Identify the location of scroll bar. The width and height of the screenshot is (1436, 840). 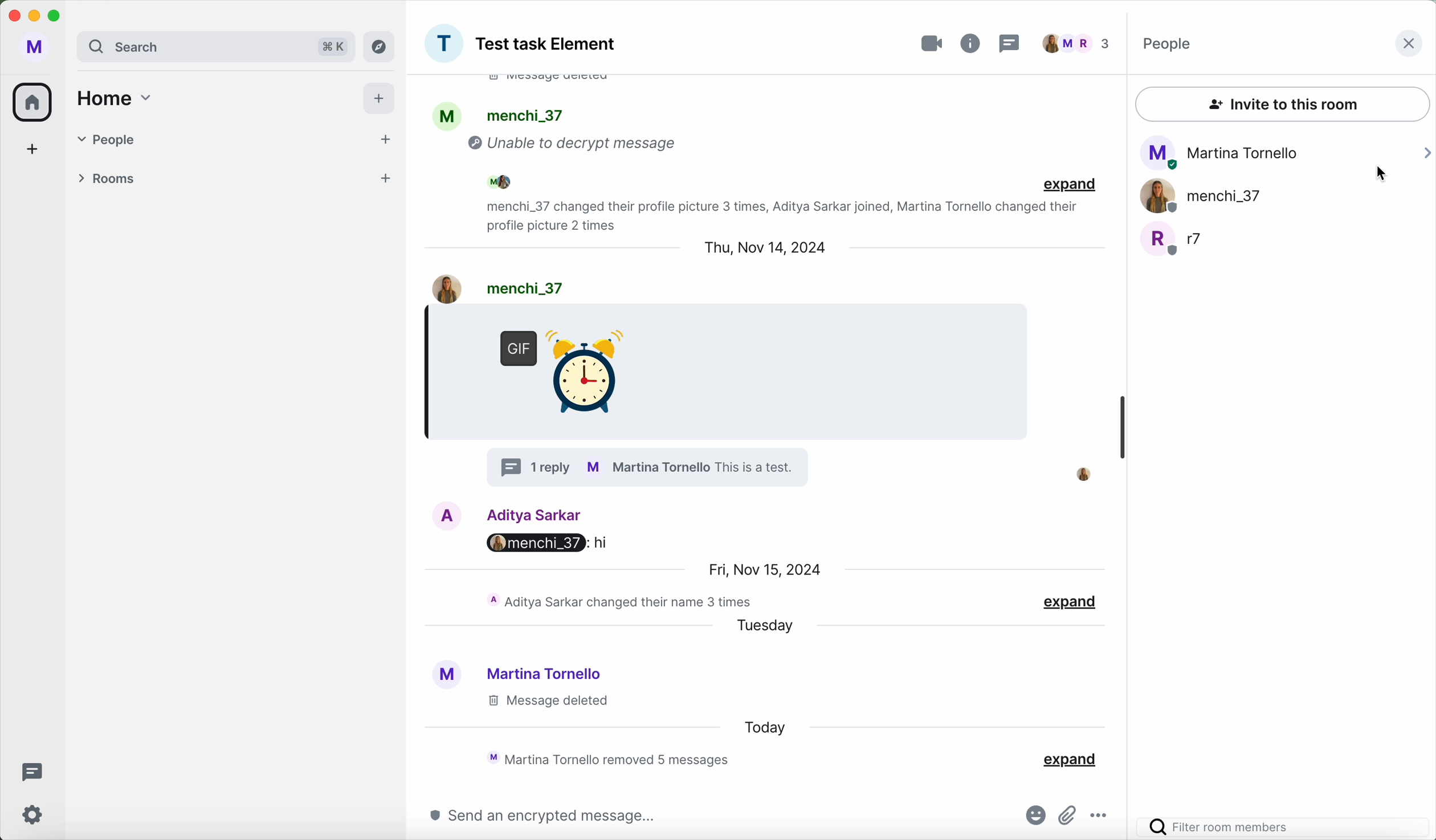
(1123, 430).